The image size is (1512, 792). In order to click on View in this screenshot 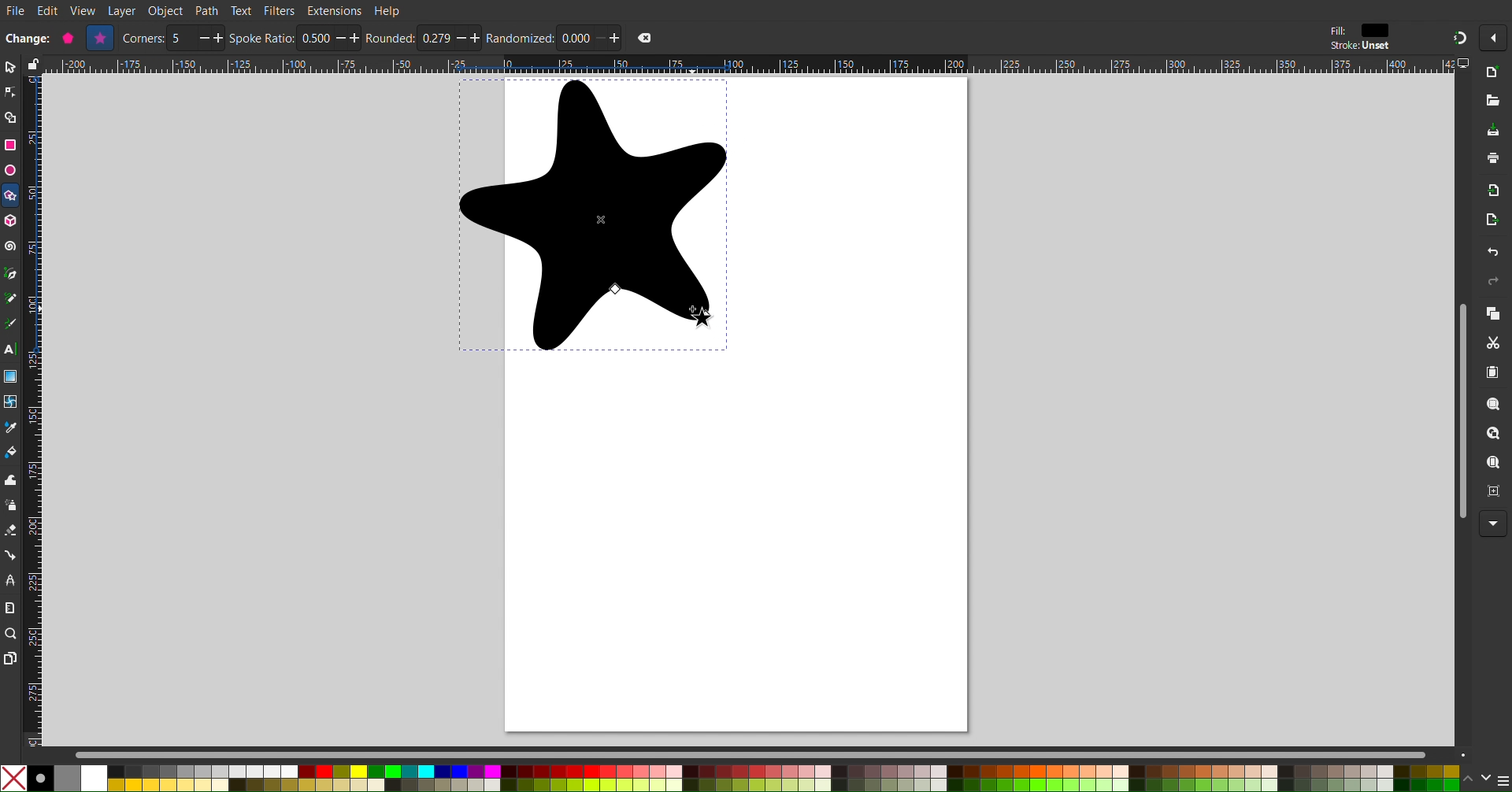, I will do `click(83, 11)`.